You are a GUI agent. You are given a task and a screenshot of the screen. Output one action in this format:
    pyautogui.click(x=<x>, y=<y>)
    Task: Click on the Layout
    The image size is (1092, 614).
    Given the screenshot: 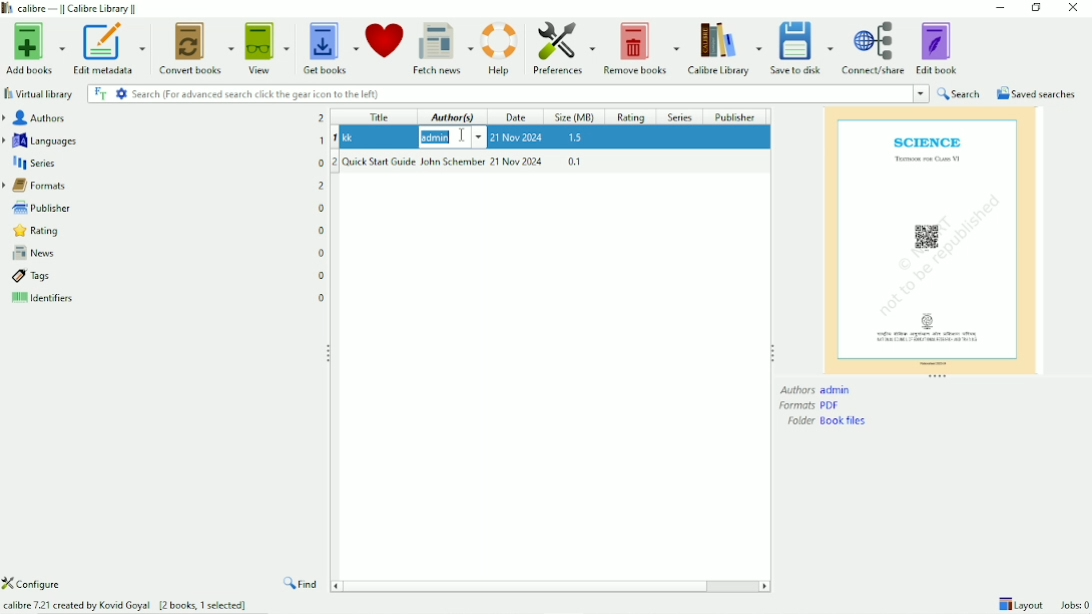 What is the action you would take?
    pyautogui.click(x=1020, y=604)
    